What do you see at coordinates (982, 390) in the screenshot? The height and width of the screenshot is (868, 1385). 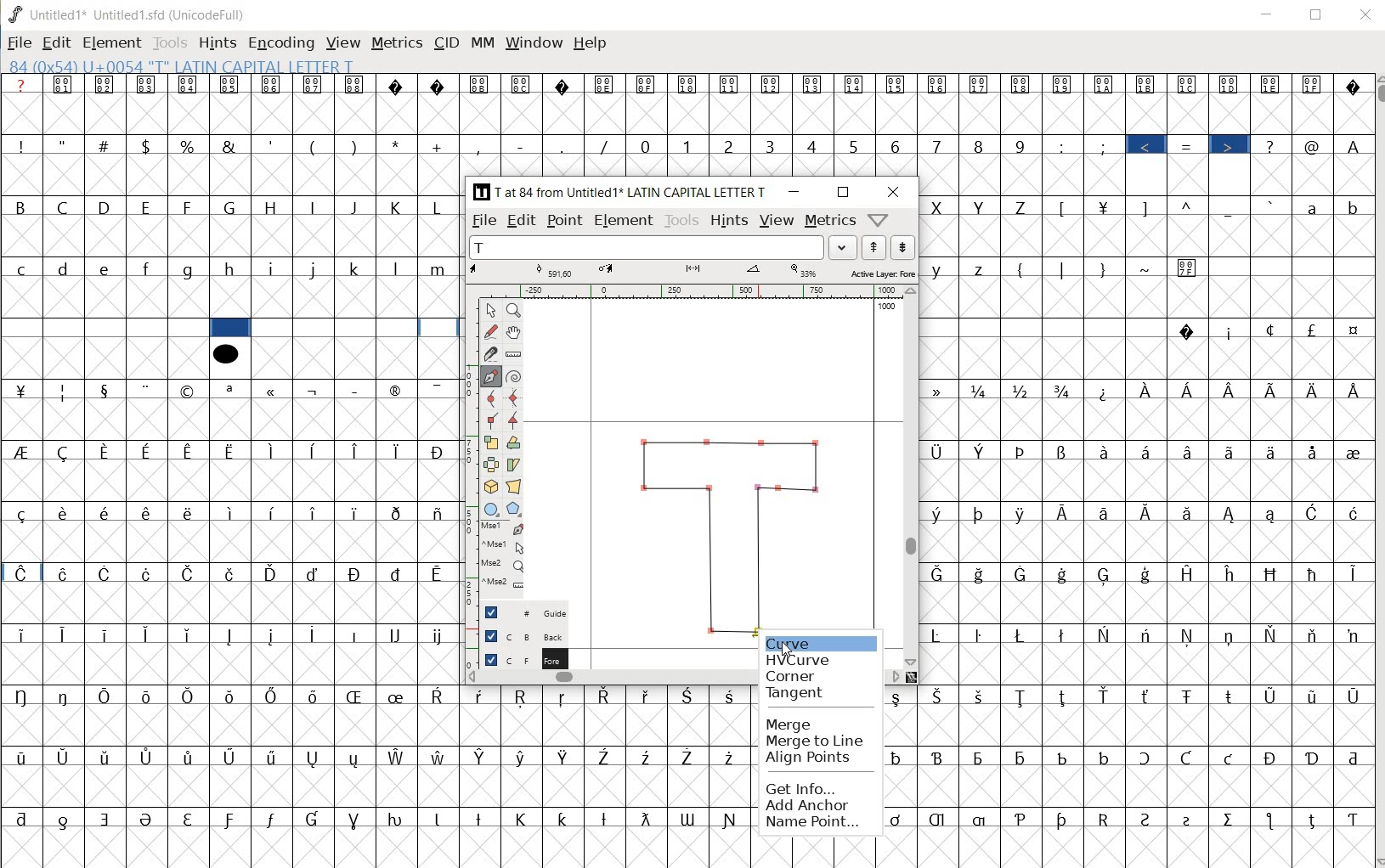 I see `Symbol` at bounding box center [982, 390].